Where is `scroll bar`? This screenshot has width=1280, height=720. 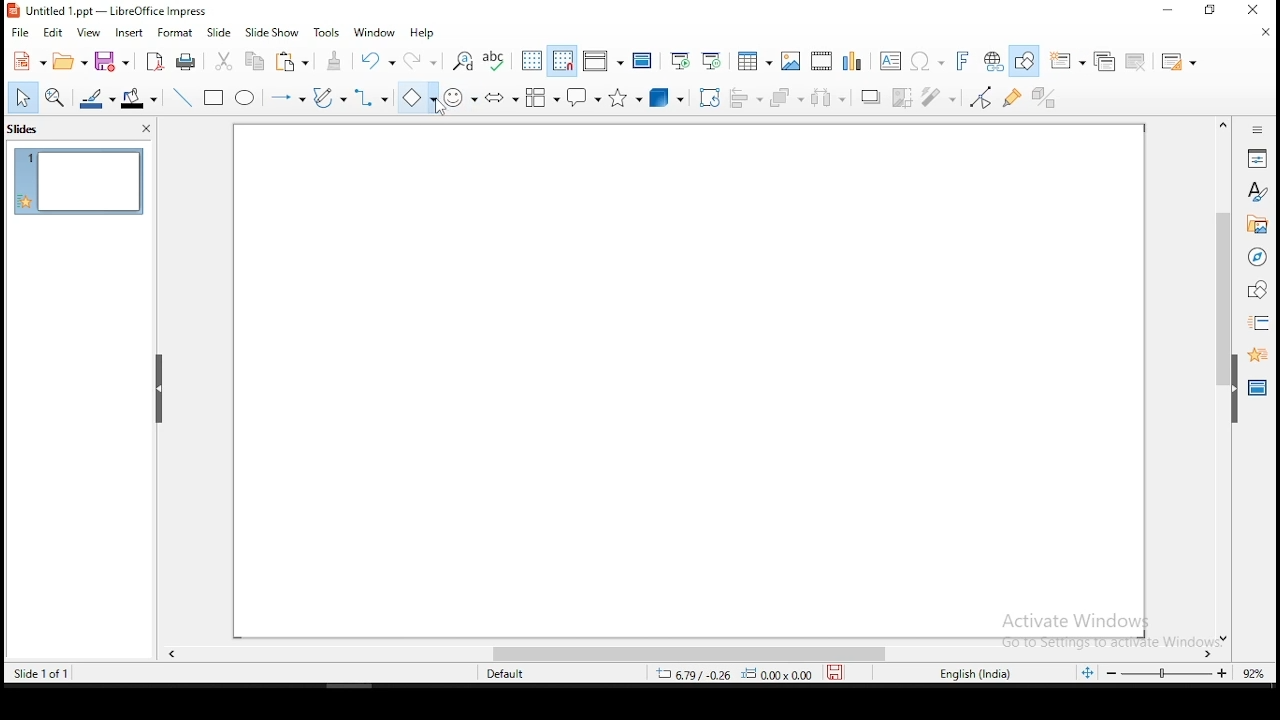
scroll bar is located at coordinates (1219, 379).